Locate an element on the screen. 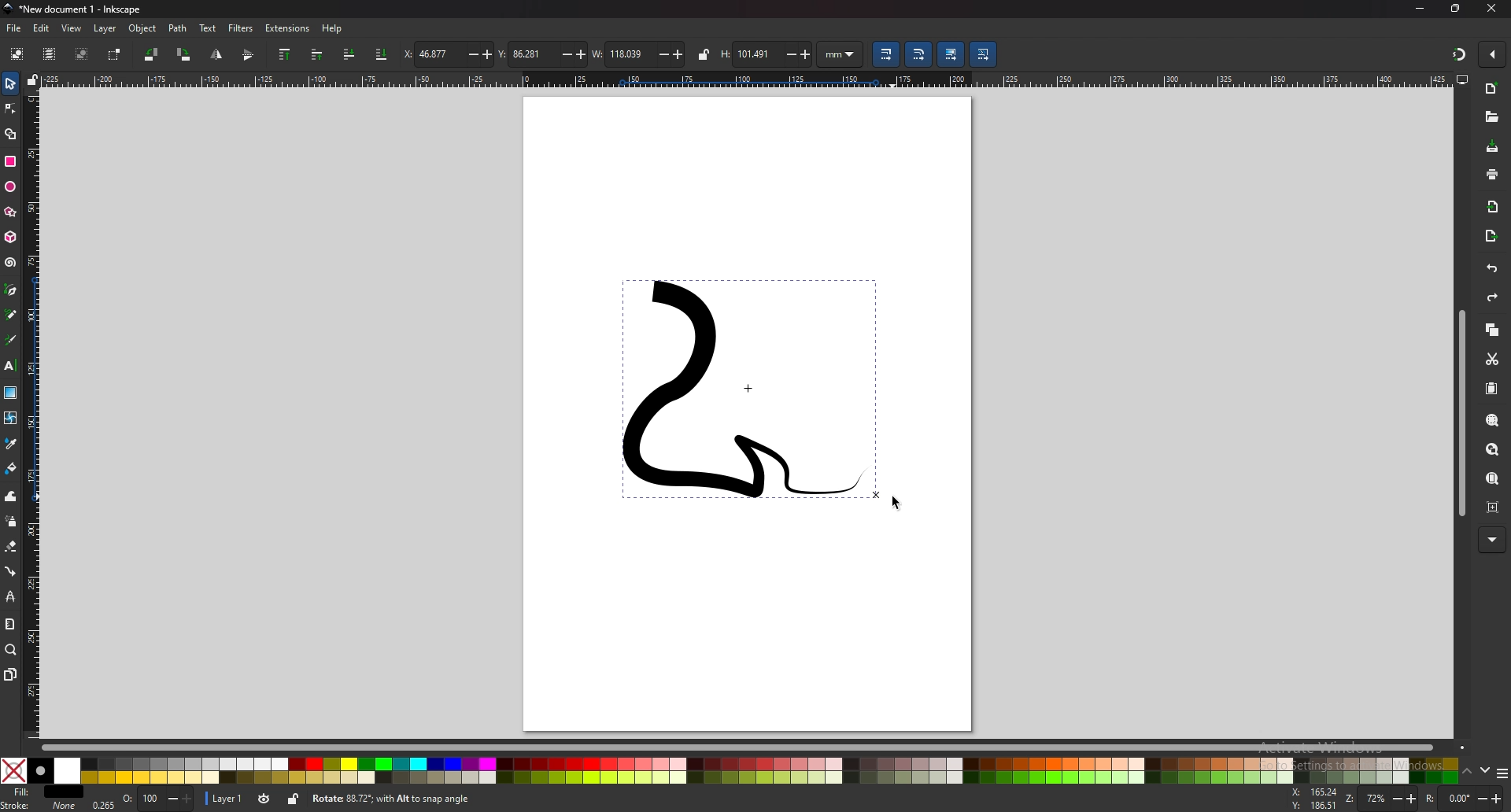 This screenshot has width=1511, height=812. move patterns is located at coordinates (983, 54).